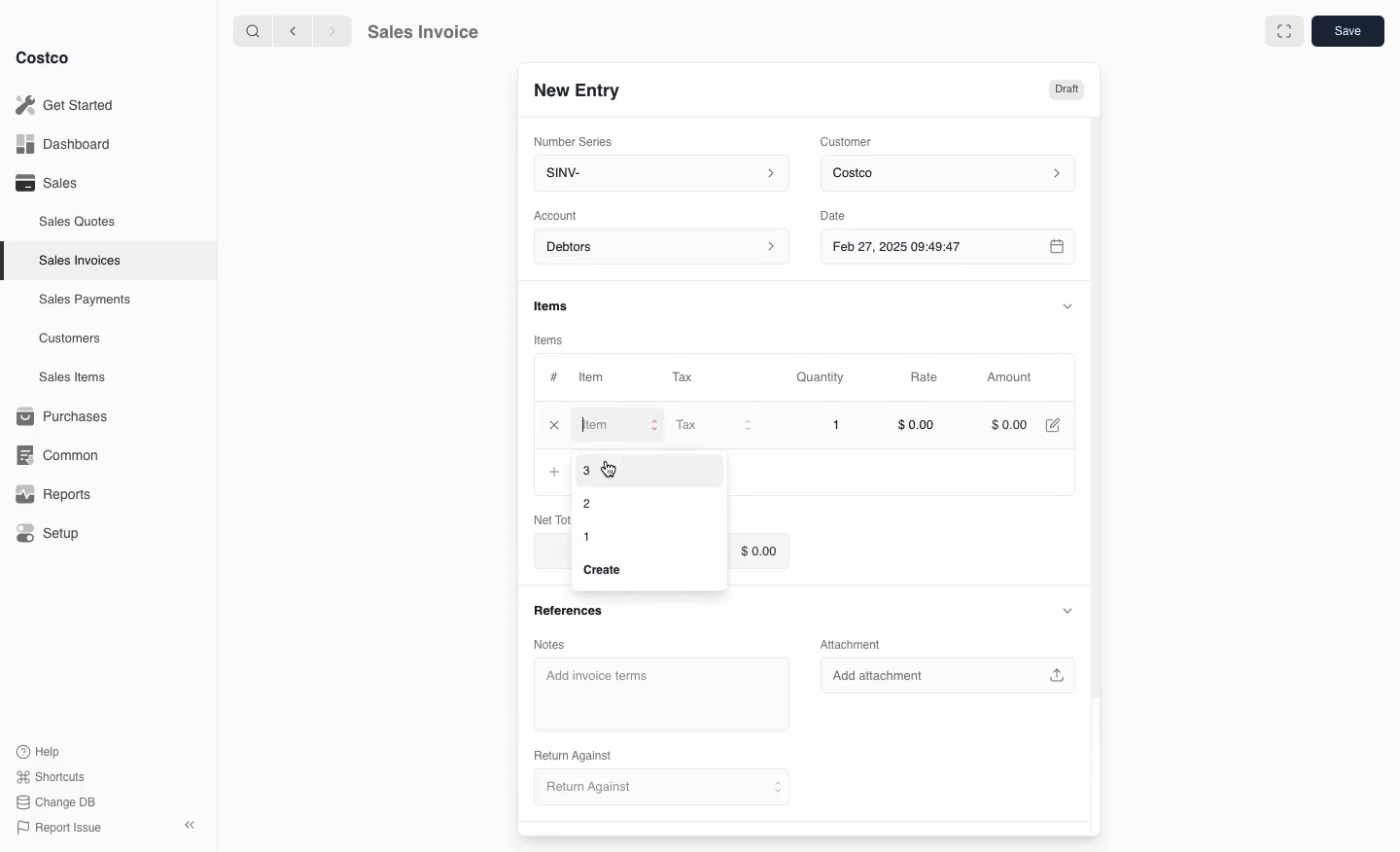  What do you see at coordinates (657, 175) in the screenshot?
I see `SINV-` at bounding box center [657, 175].